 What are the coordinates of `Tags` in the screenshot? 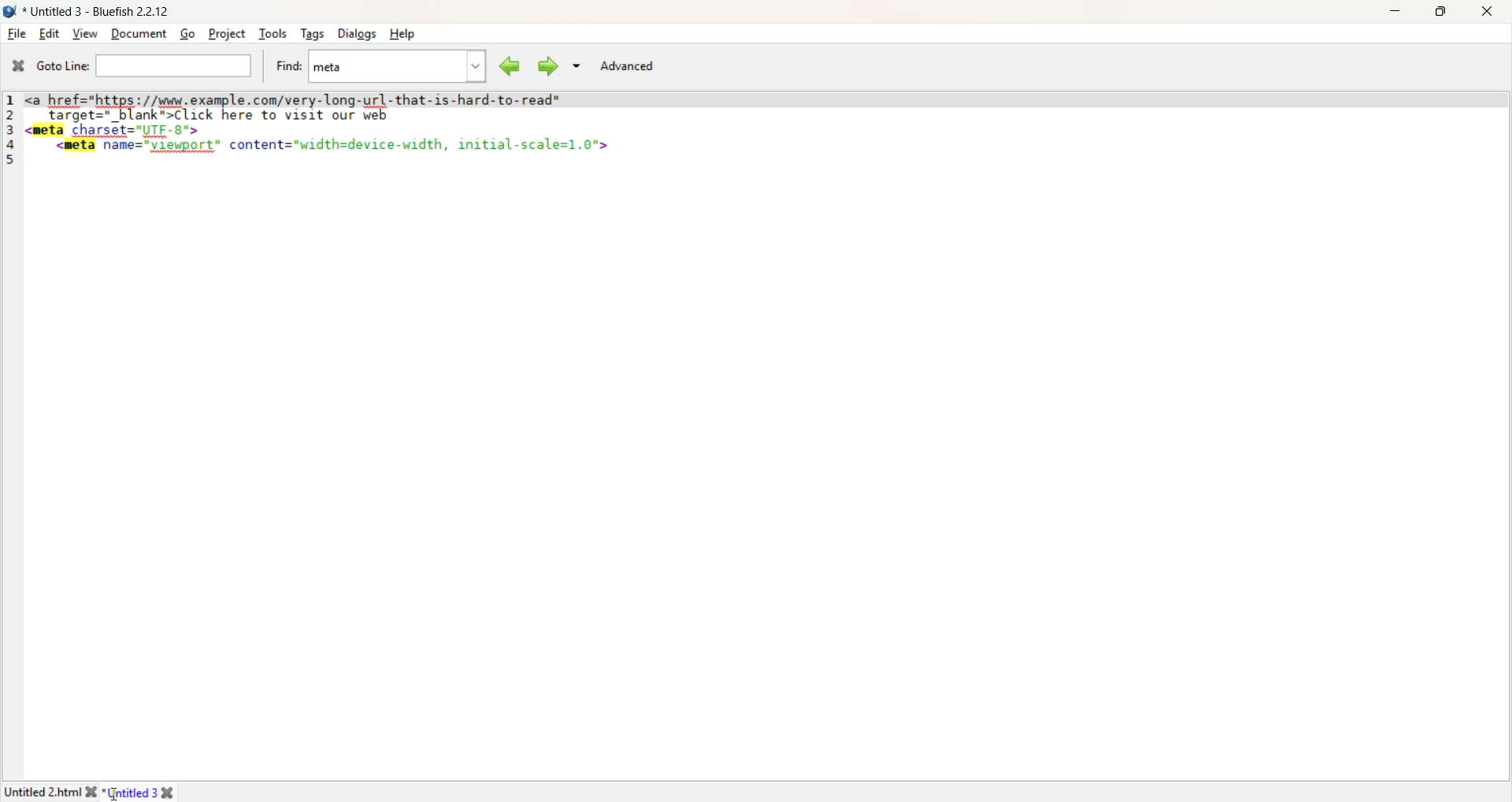 It's located at (310, 34).